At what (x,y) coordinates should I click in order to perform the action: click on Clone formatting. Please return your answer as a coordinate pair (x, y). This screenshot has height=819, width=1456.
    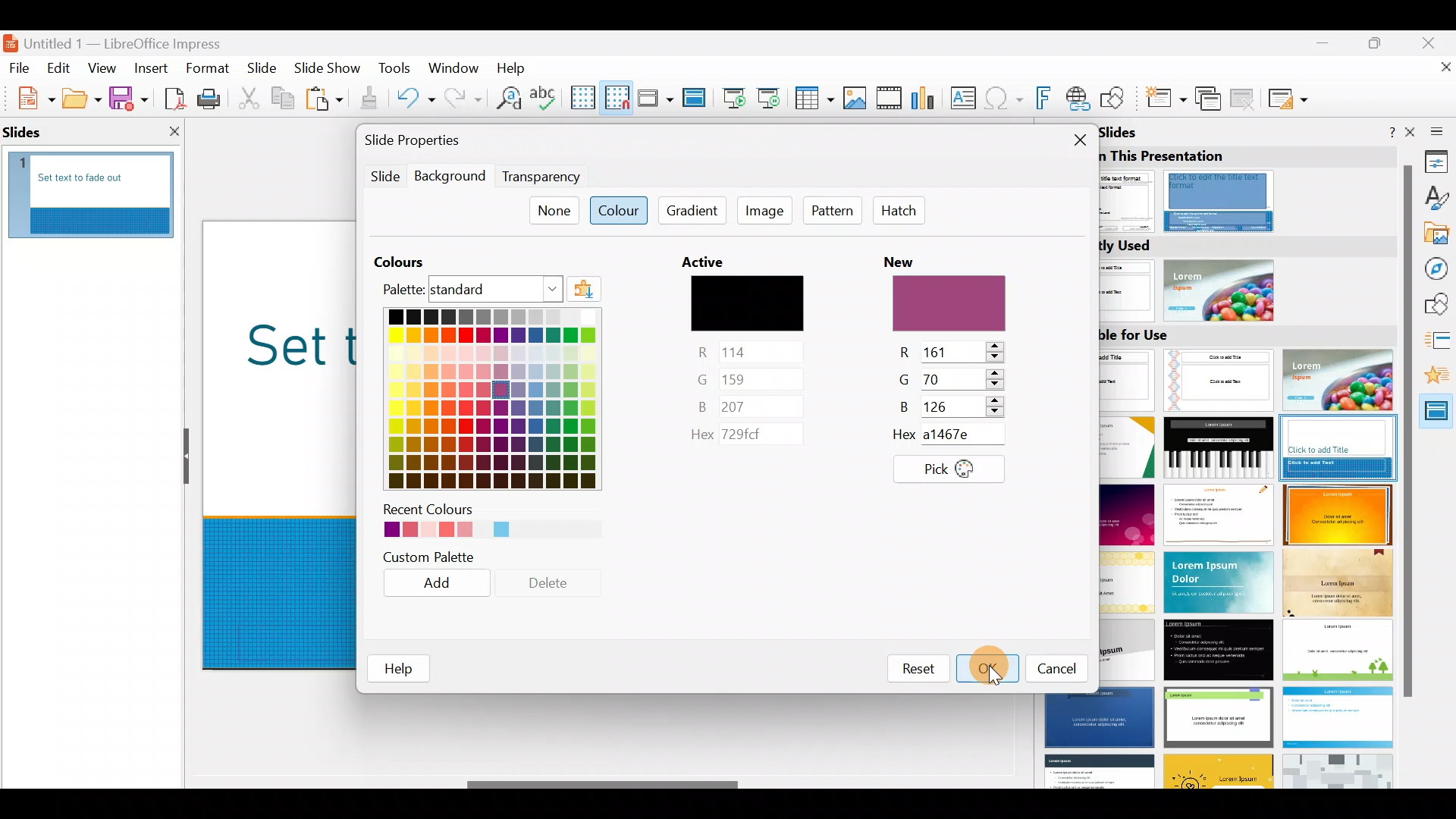
    Looking at the image, I should click on (372, 99).